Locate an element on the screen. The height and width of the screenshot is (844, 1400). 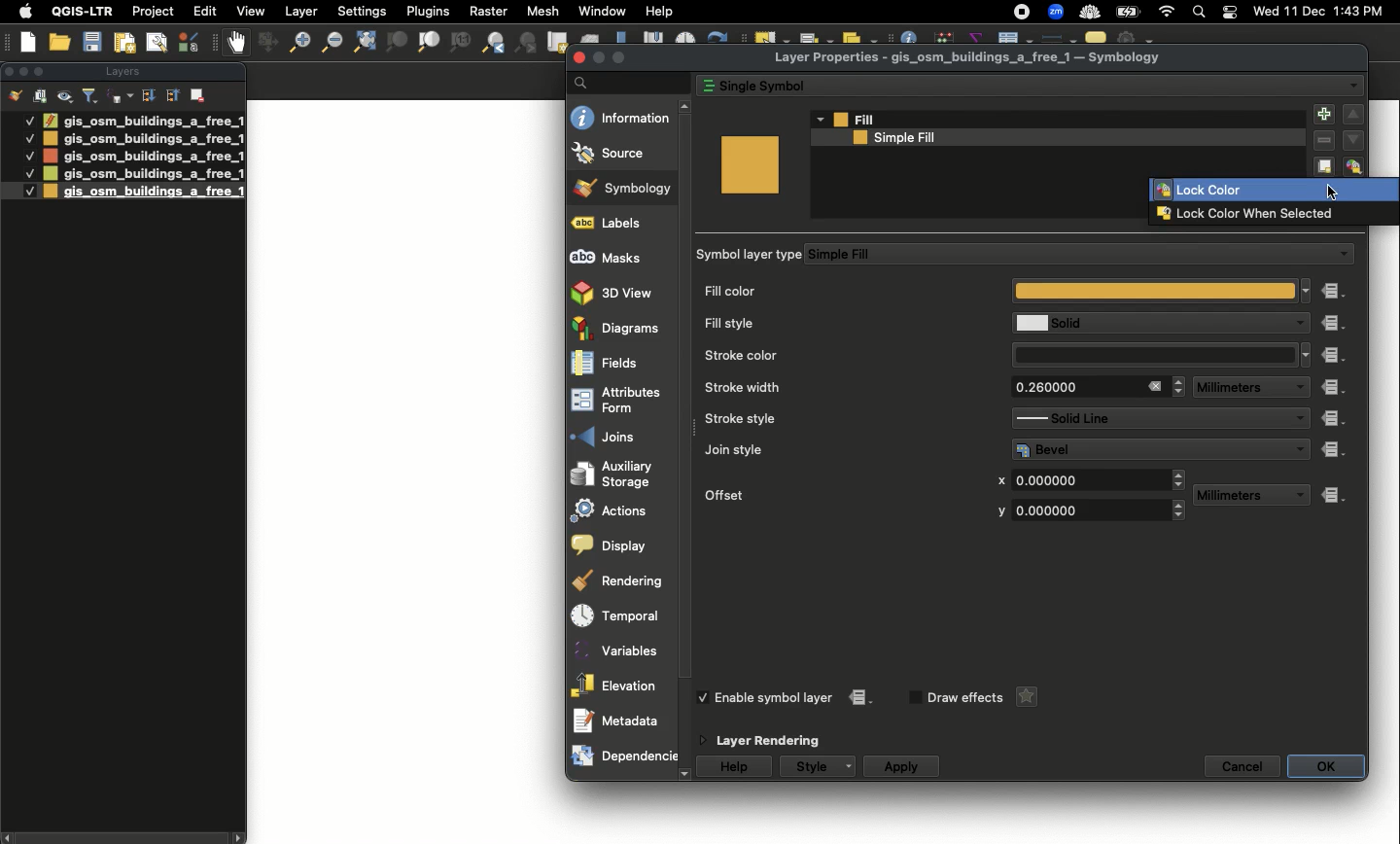
Stroke style is located at coordinates (837, 419).